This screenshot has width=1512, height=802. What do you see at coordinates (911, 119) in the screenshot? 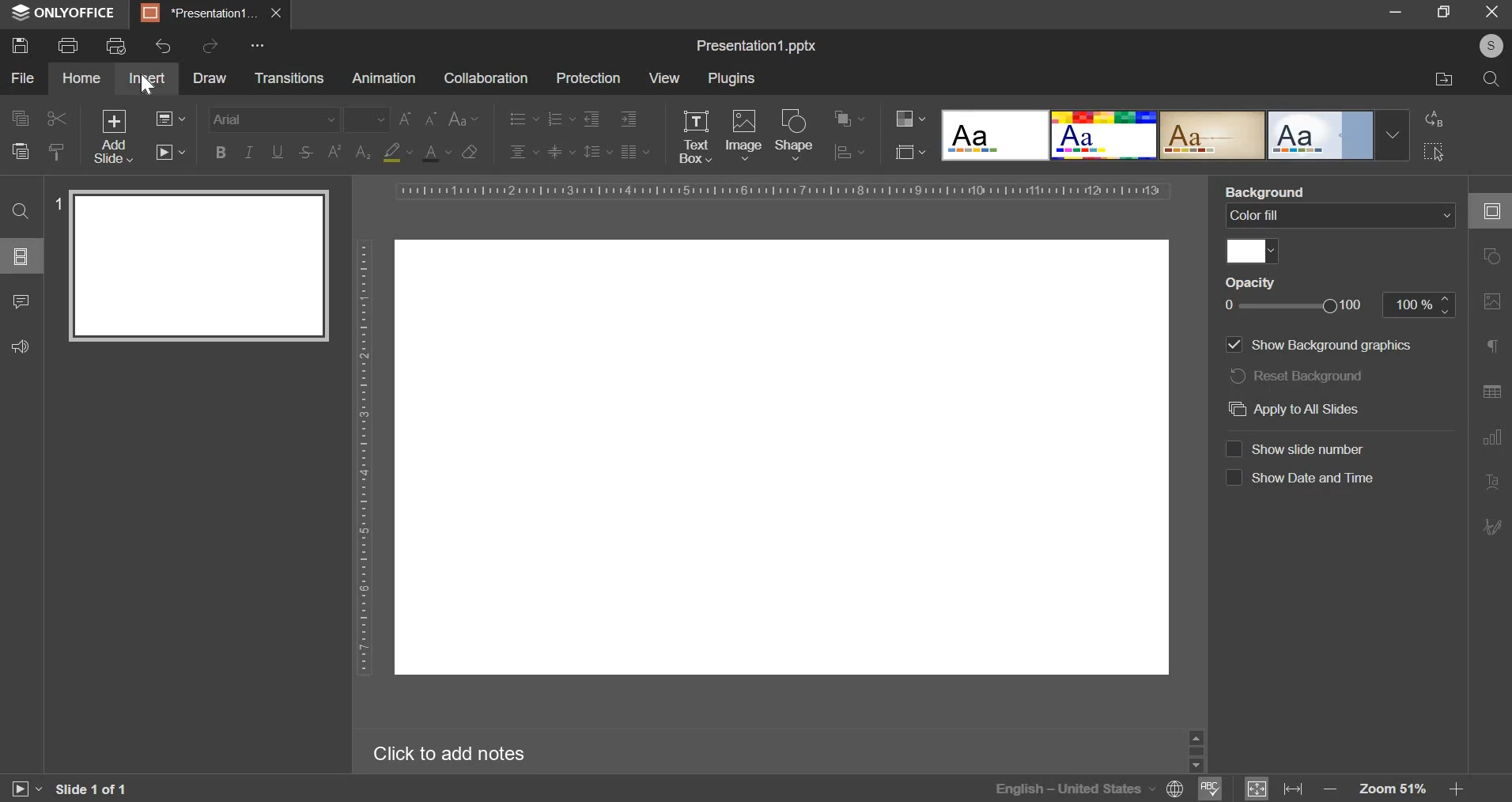
I see `change color theme` at bounding box center [911, 119].